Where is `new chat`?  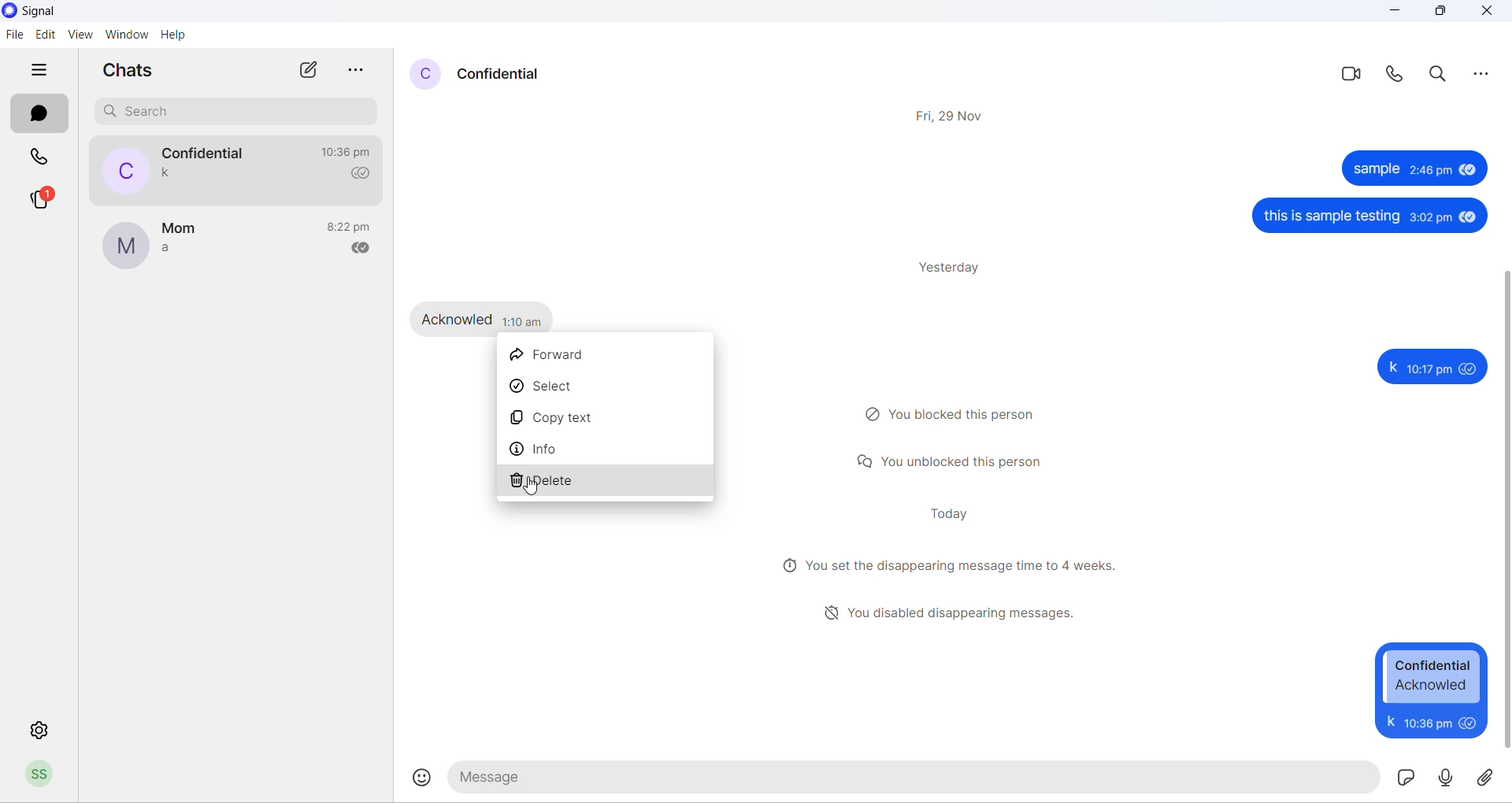 new chat is located at coordinates (306, 71).